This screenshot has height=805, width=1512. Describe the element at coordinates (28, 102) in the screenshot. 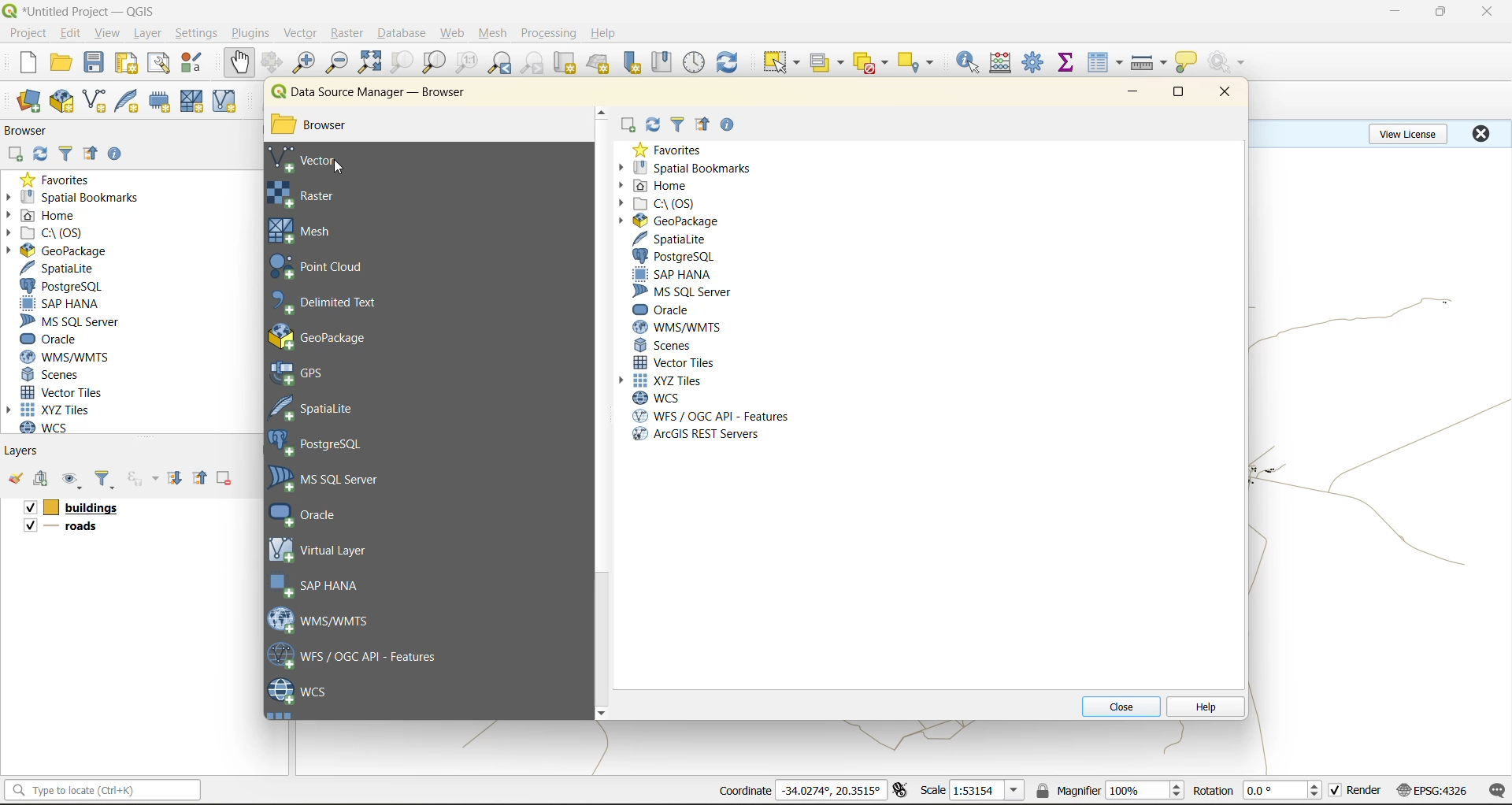

I see `open data source manager` at that location.